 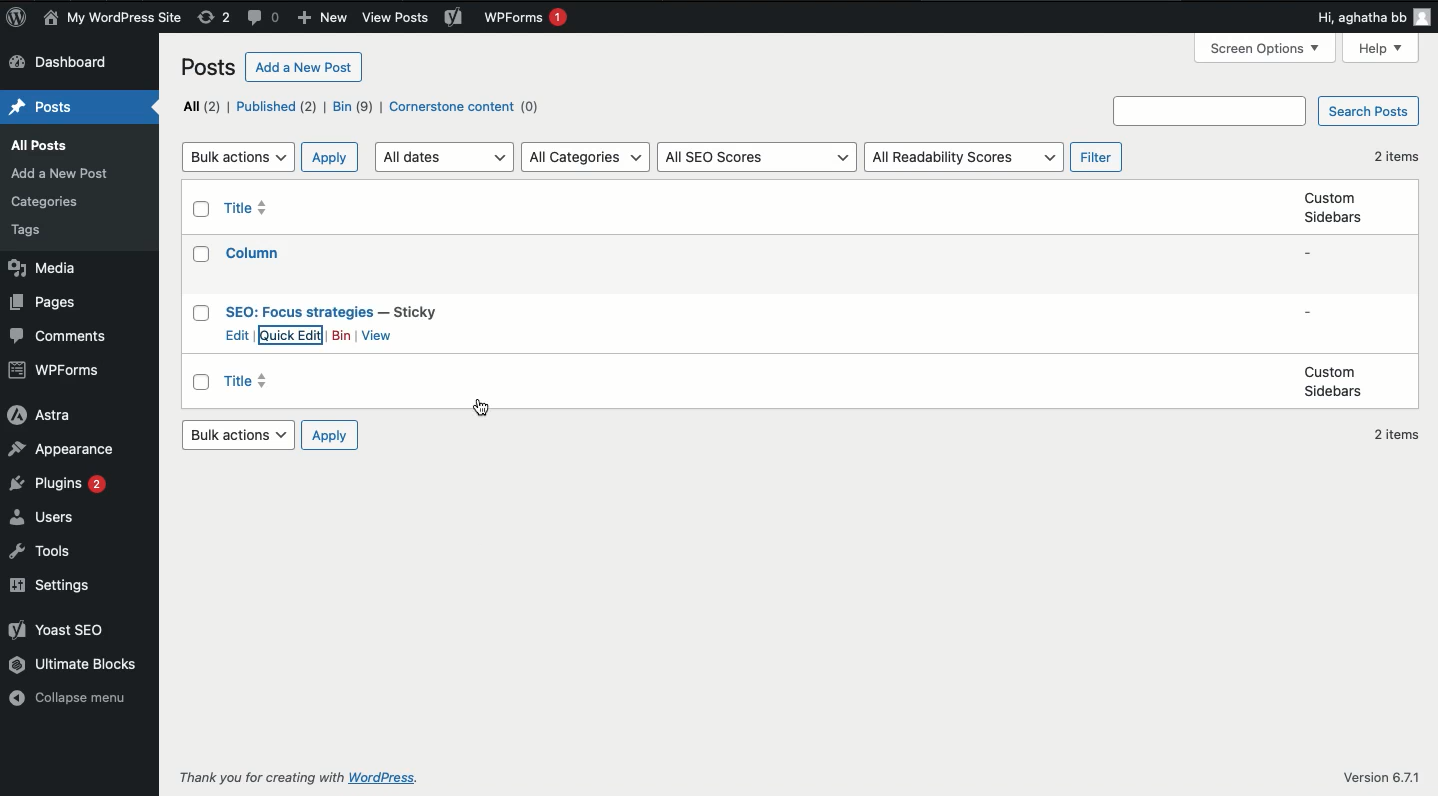 What do you see at coordinates (75, 664) in the screenshot?
I see `Ultimate blocks` at bounding box center [75, 664].